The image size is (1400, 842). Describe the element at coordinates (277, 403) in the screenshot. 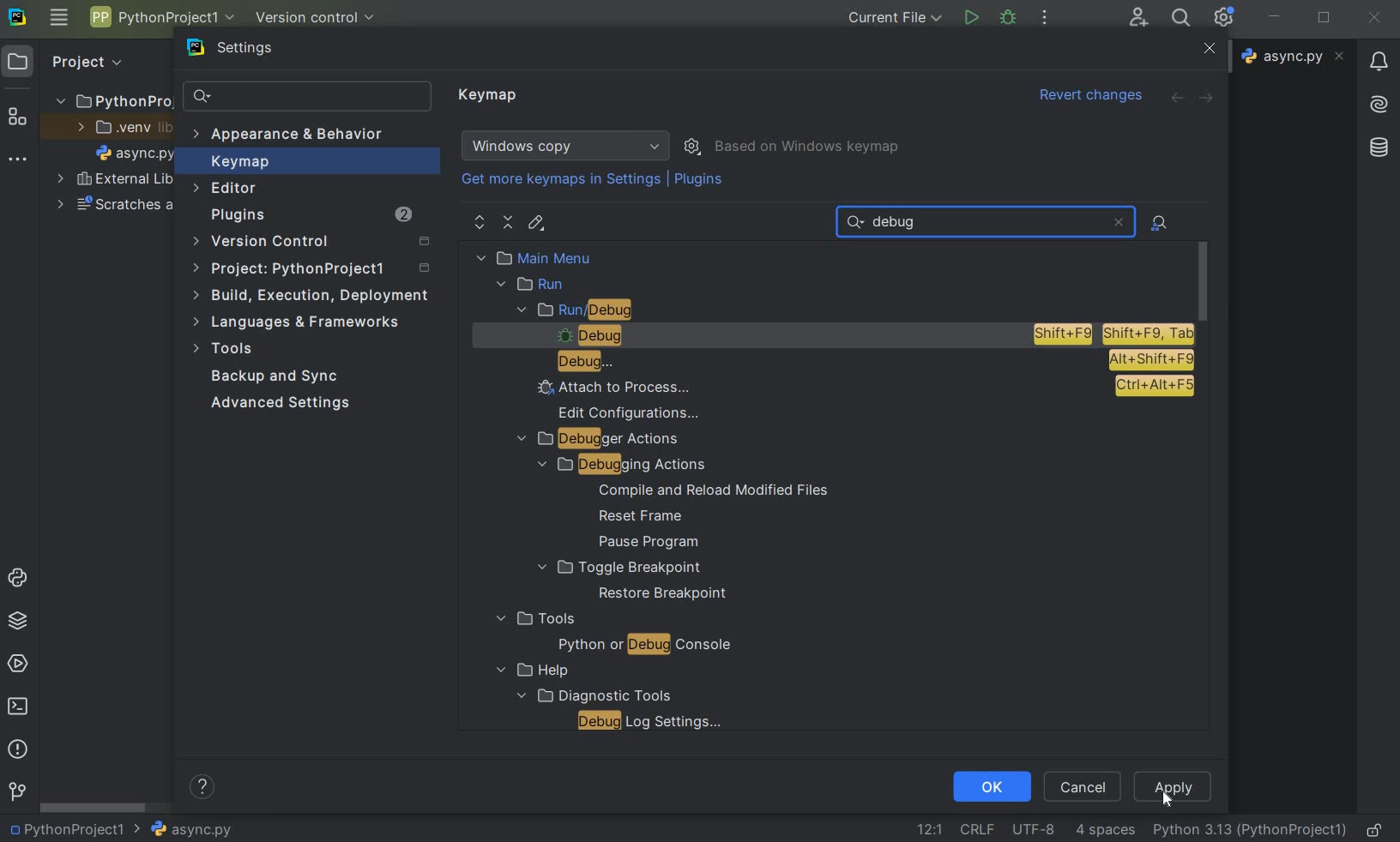

I see `advanced settings` at that location.